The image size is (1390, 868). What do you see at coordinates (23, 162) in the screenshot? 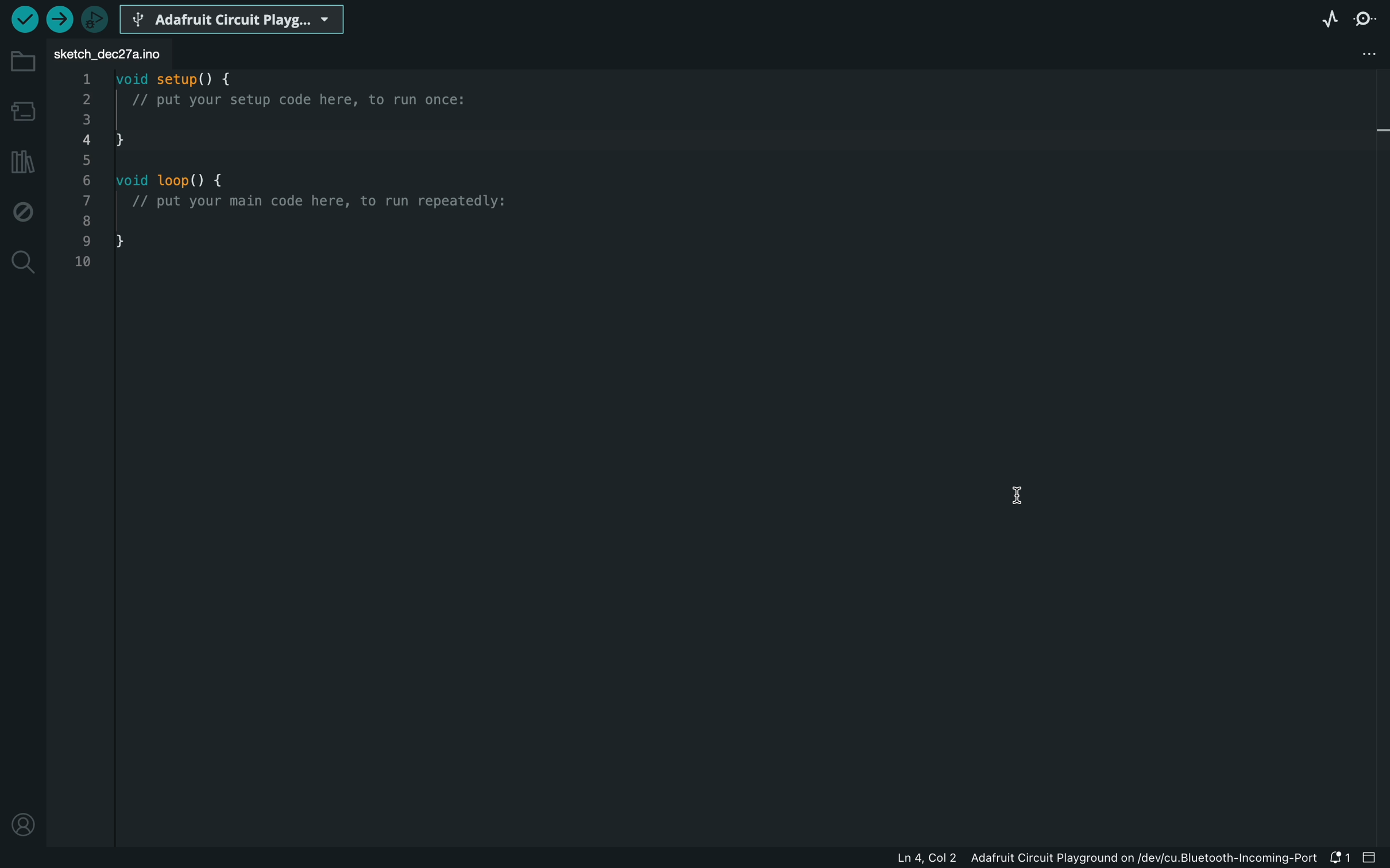
I see `library manager` at bounding box center [23, 162].